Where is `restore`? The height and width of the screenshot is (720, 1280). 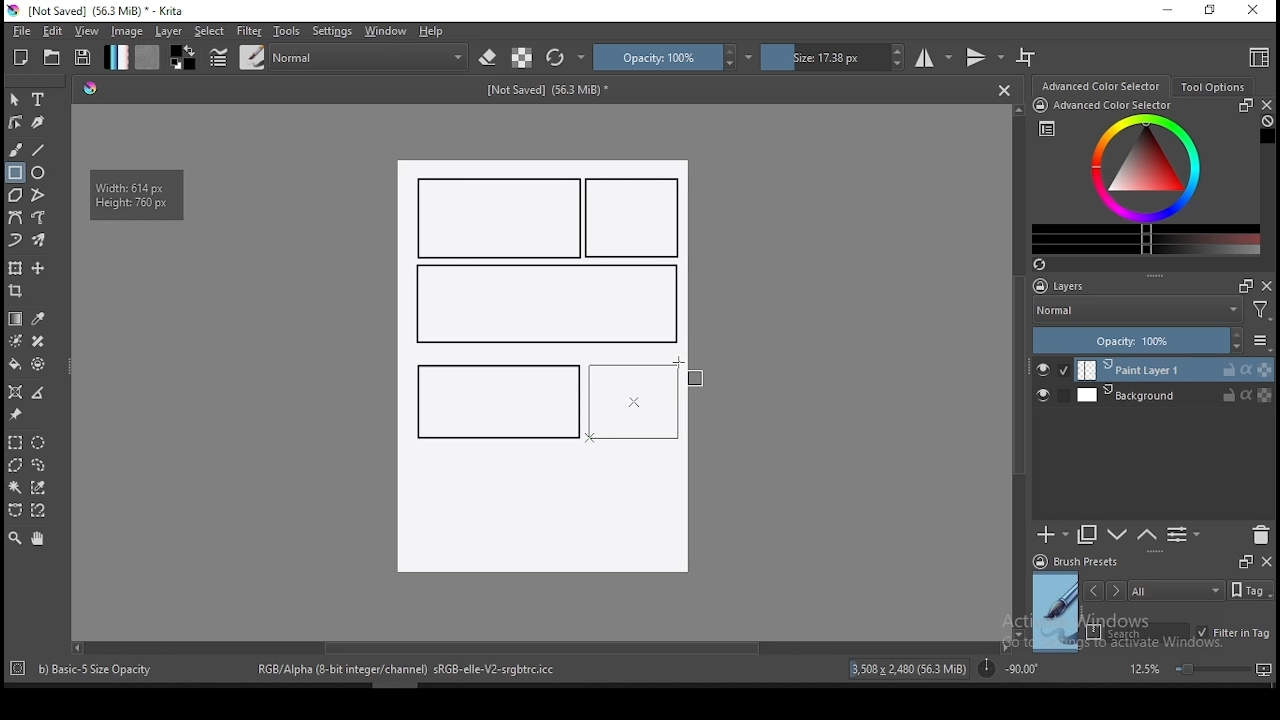
restore is located at coordinates (1214, 11).